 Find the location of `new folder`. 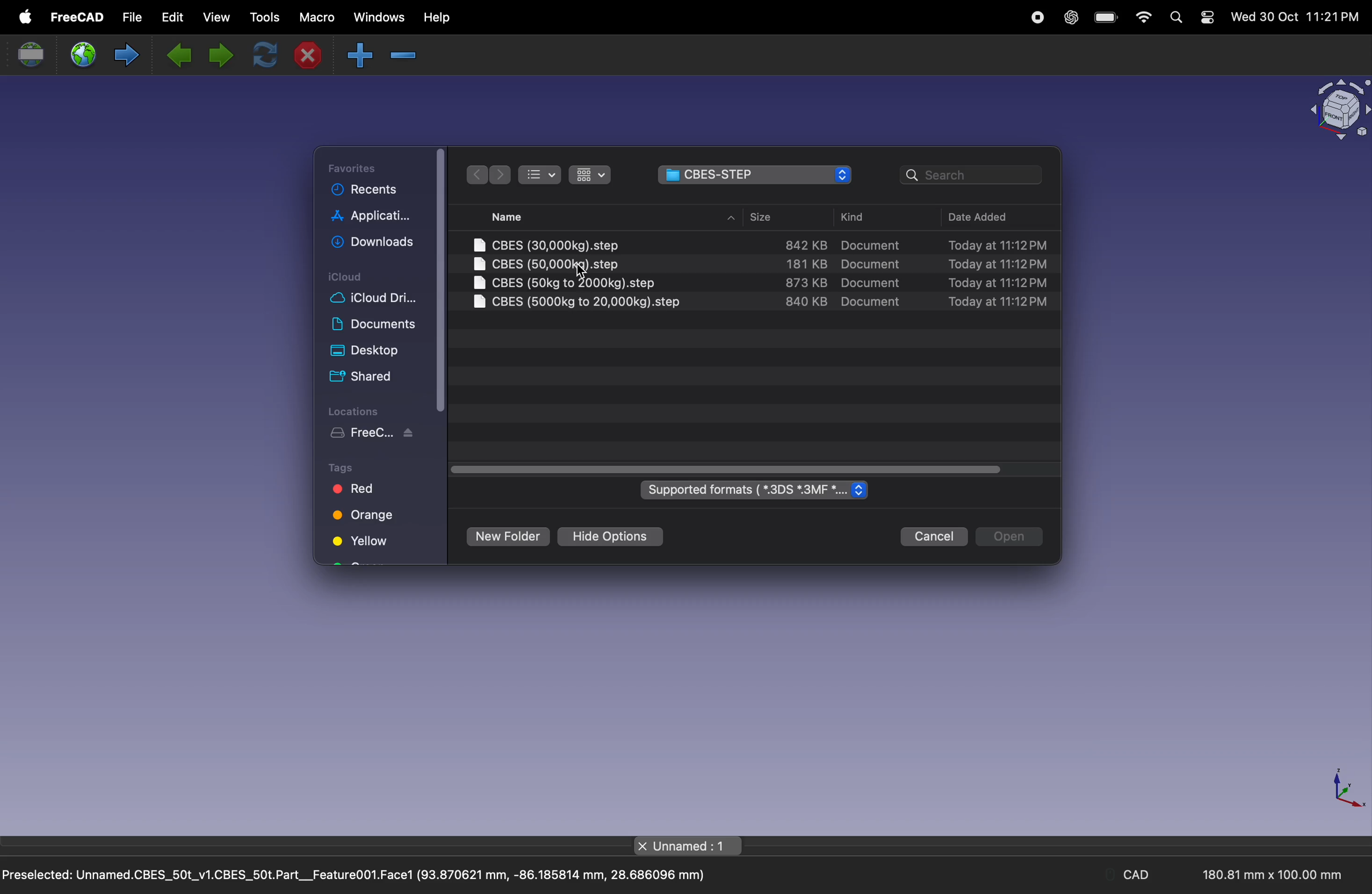

new folder is located at coordinates (507, 535).